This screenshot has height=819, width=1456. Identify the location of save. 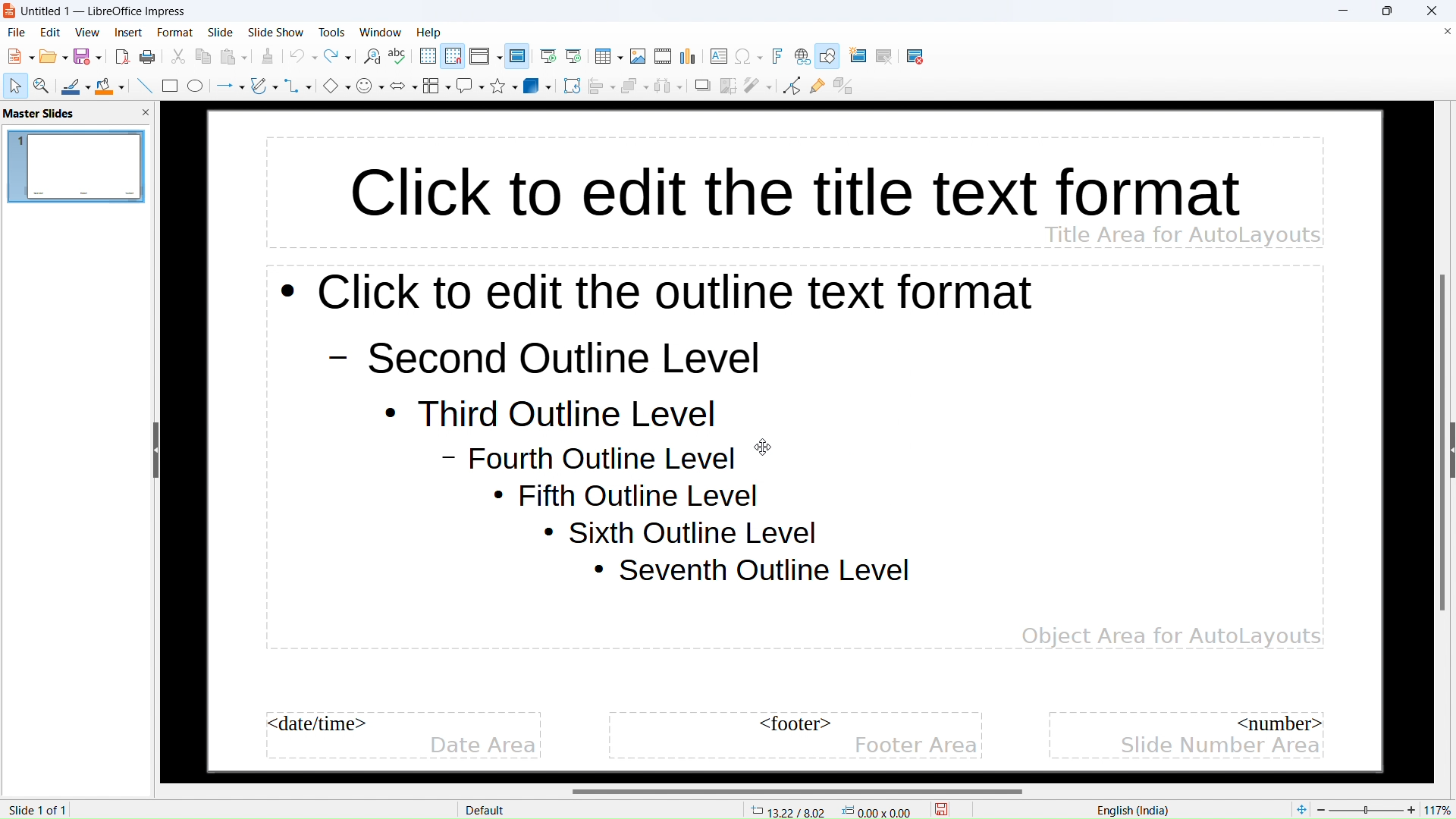
(89, 56).